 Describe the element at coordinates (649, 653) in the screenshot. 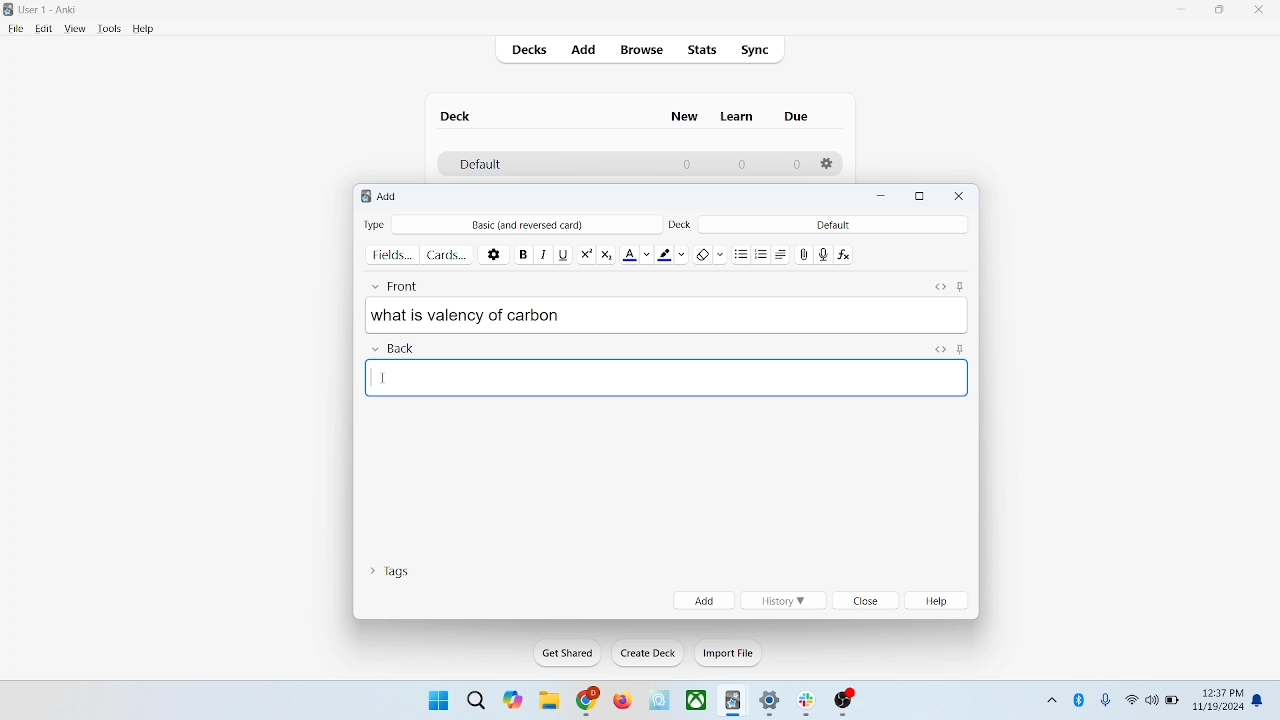

I see `create deck` at that location.